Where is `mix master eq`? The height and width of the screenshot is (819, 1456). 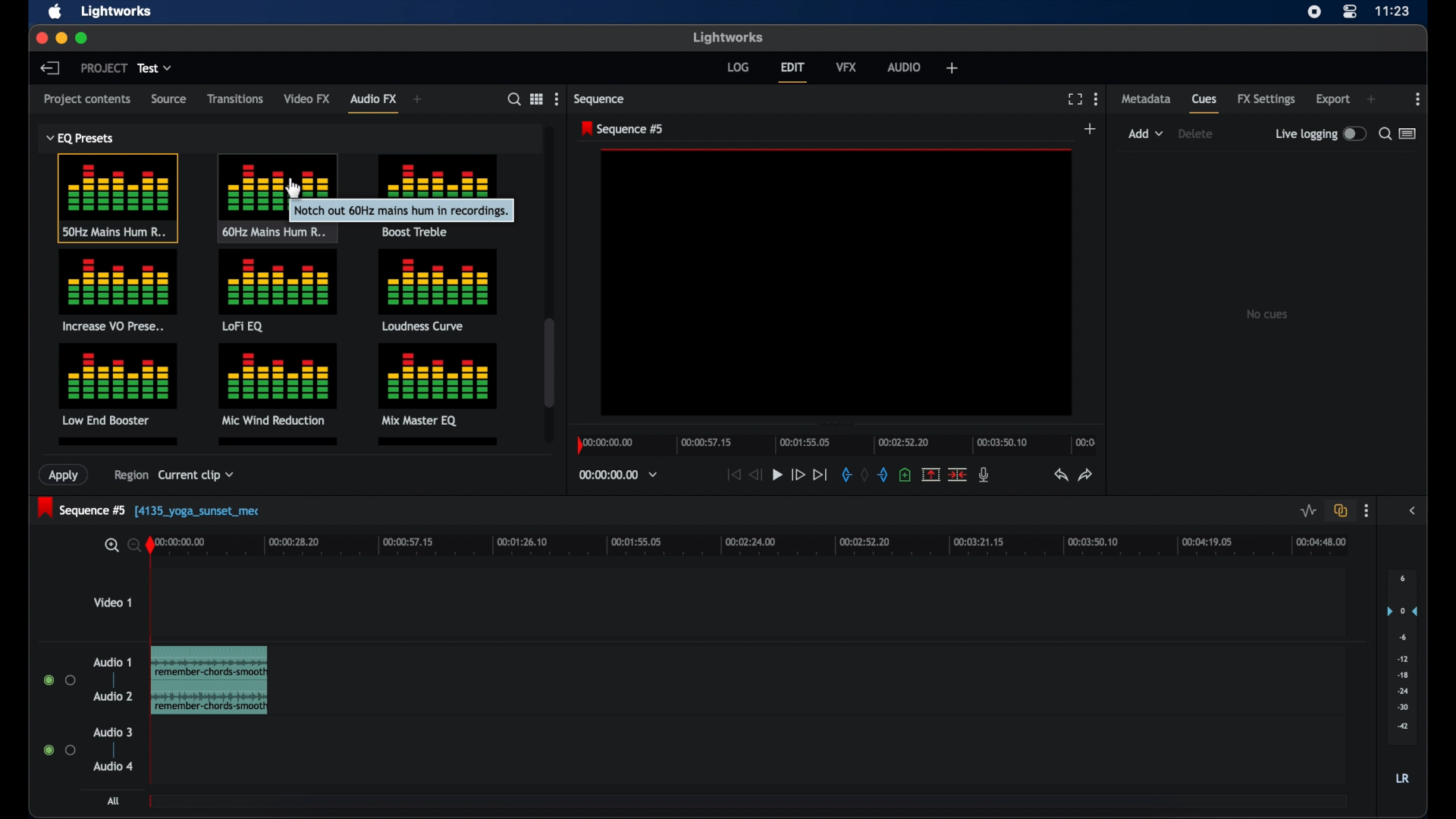 mix master eq is located at coordinates (436, 383).